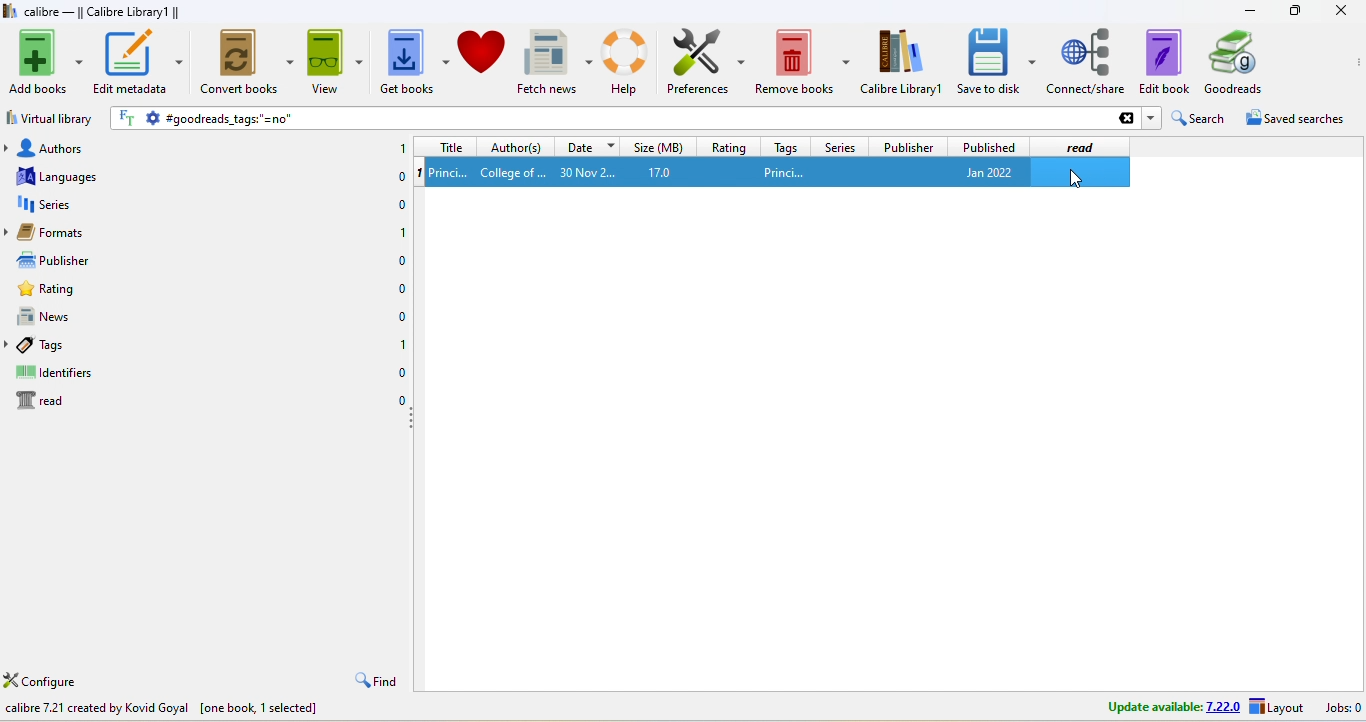  What do you see at coordinates (555, 61) in the screenshot?
I see `fetch news` at bounding box center [555, 61].